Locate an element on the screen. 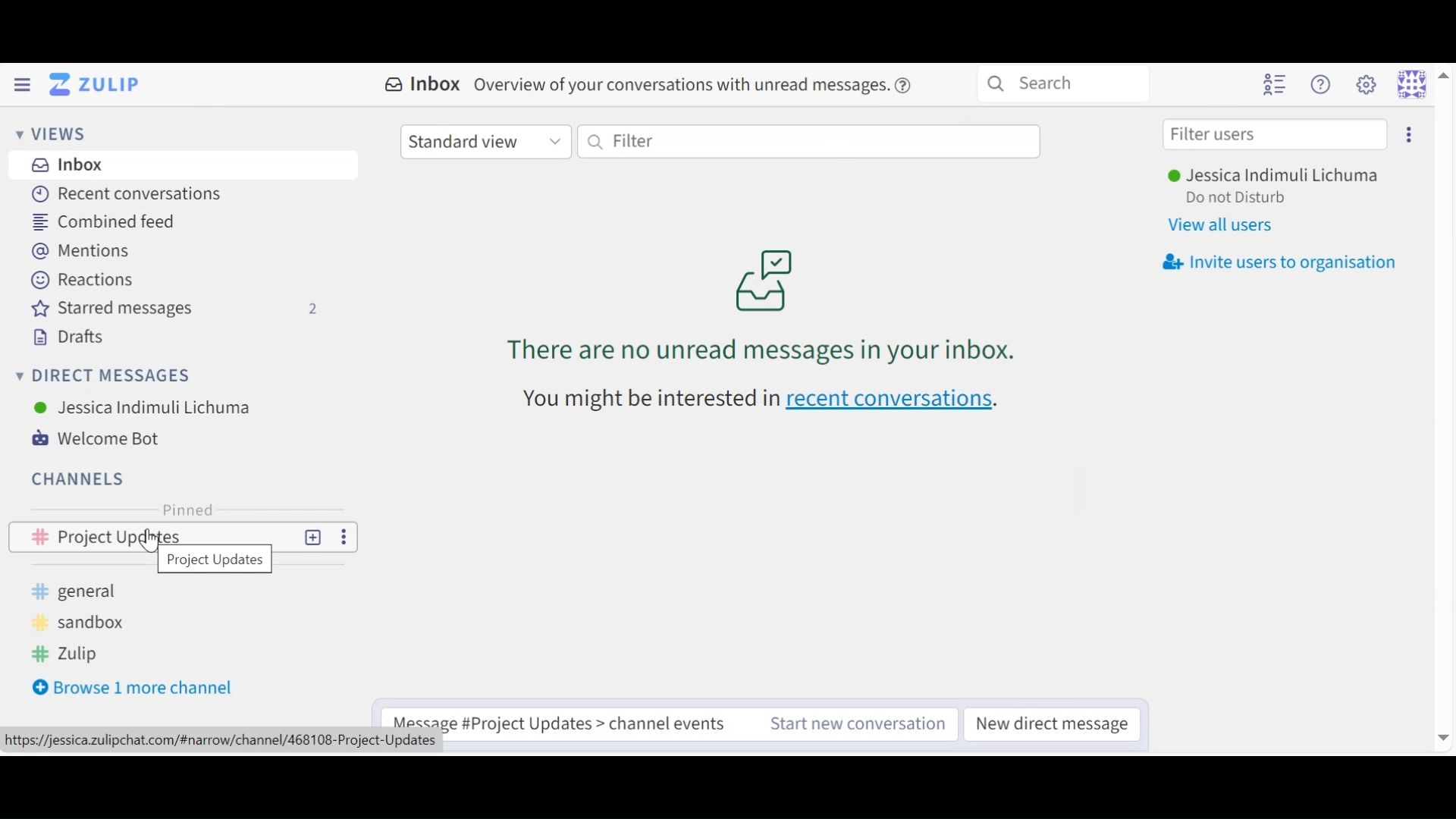  Combined Feed is located at coordinates (108, 221).